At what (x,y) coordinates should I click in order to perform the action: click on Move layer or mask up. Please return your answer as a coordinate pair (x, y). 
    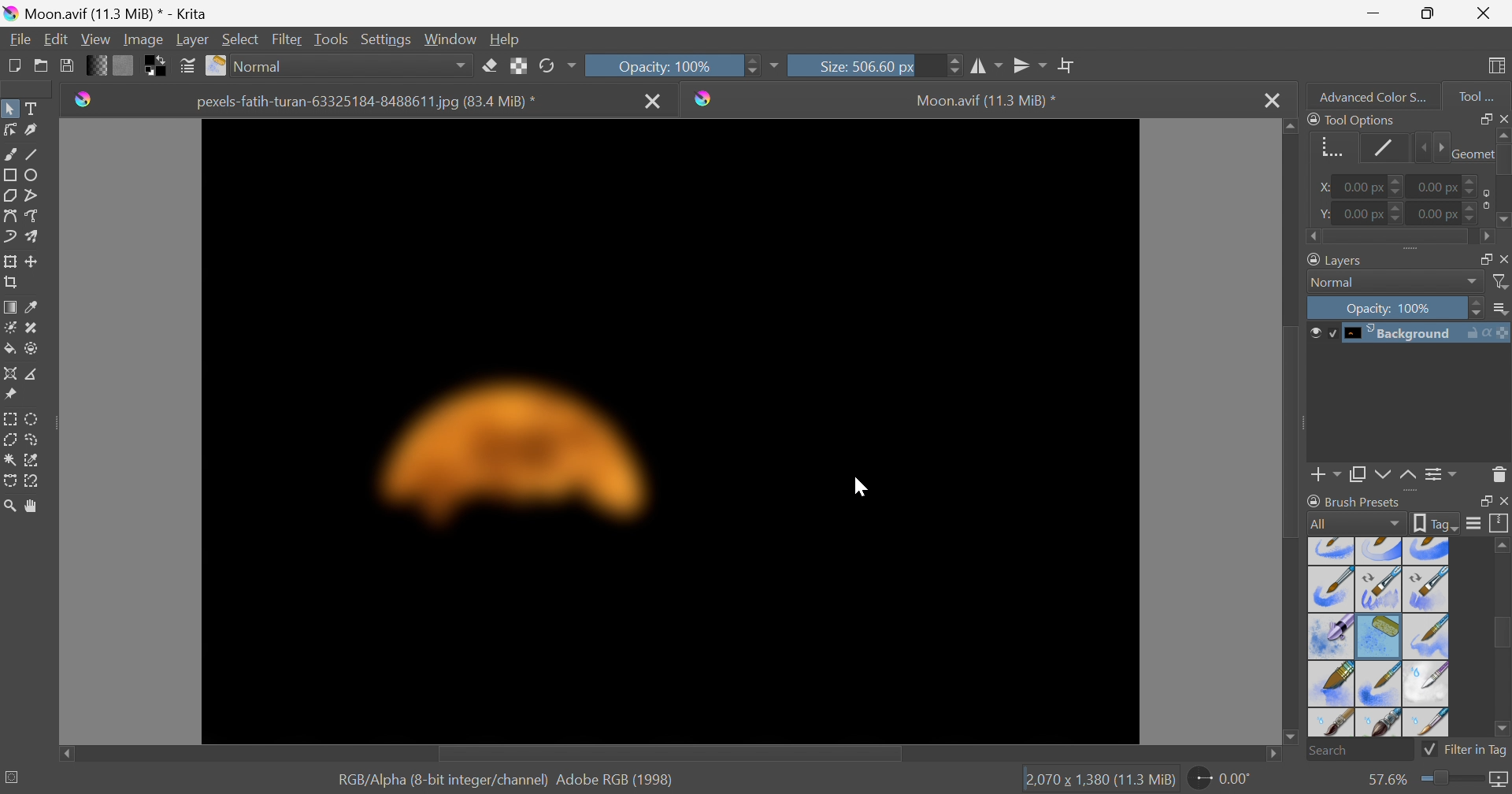
    Looking at the image, I should click on (1410, 477).